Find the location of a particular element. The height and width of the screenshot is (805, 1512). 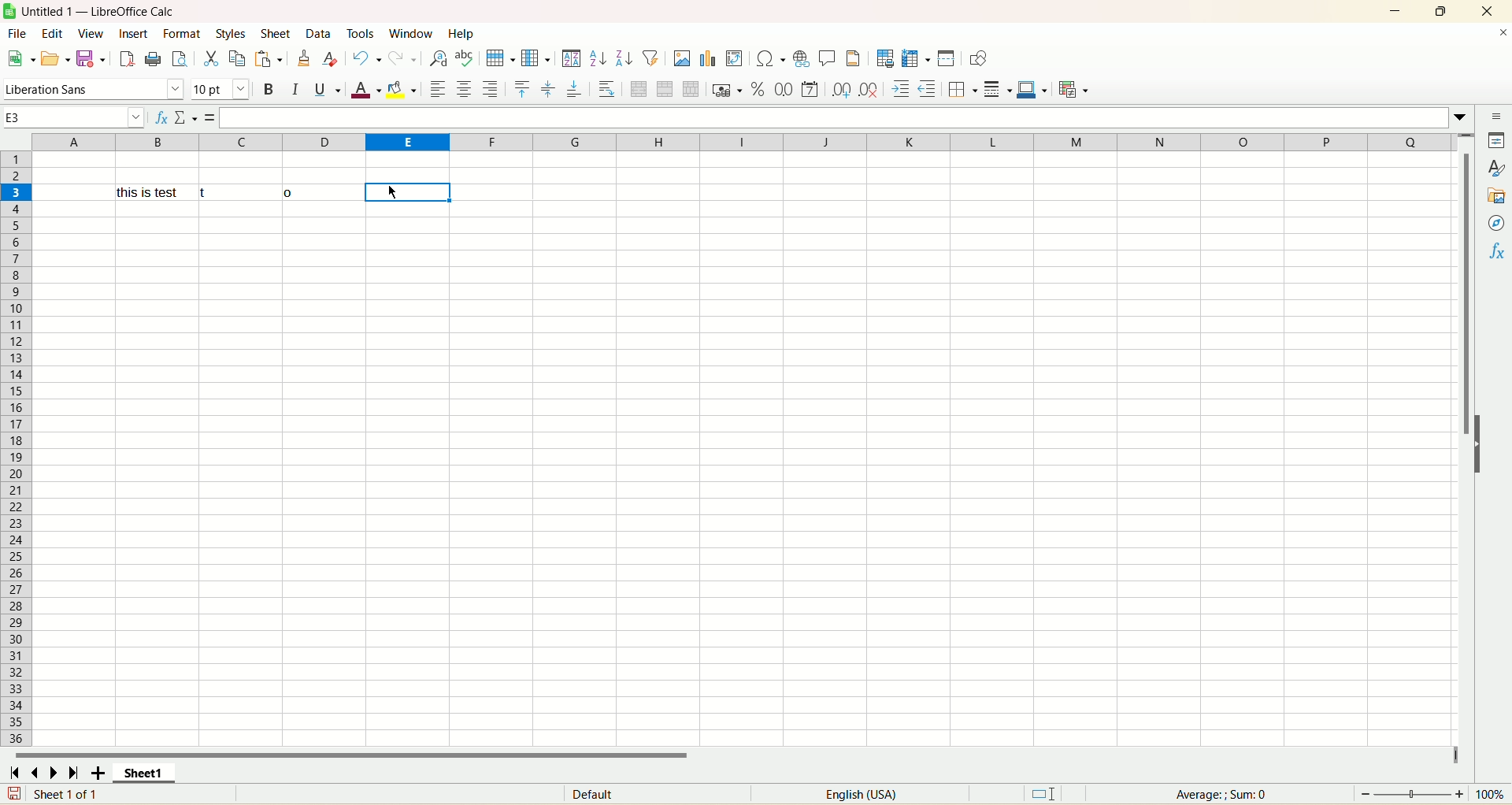

maximize is located at coordinates (1439, 11).